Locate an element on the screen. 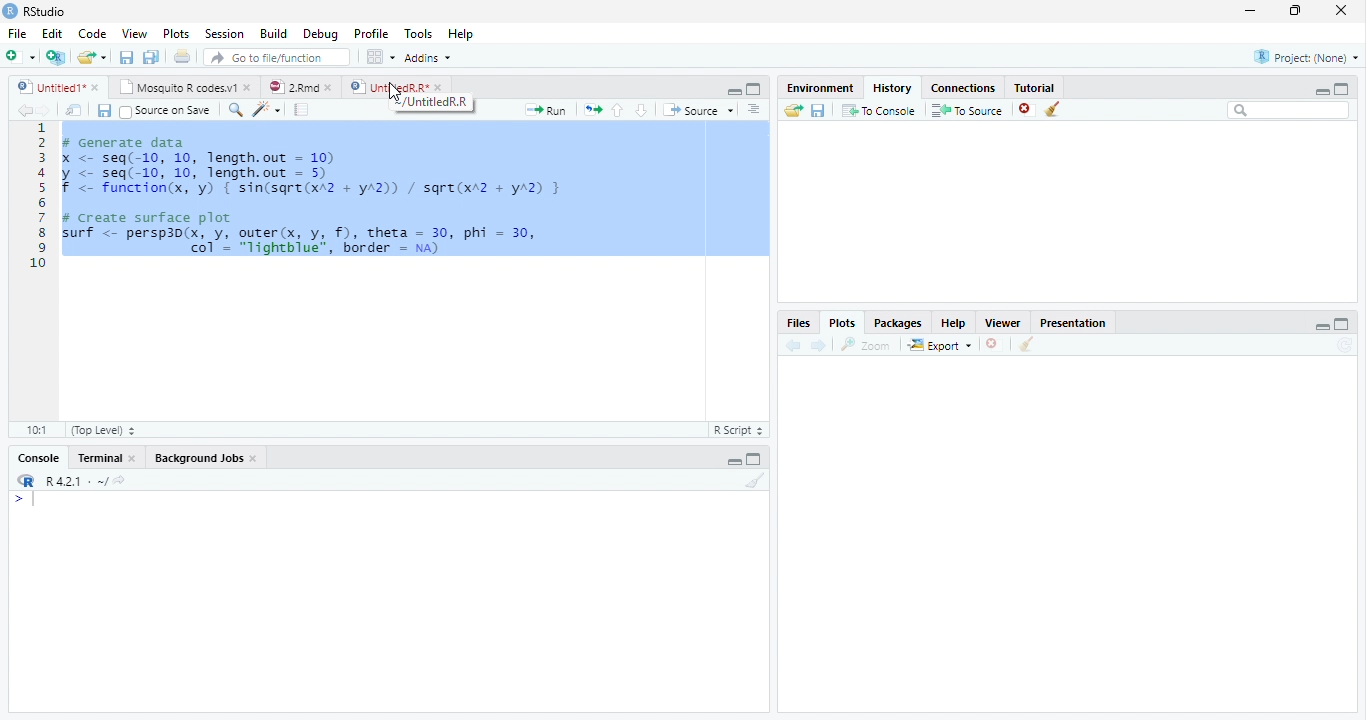 Image resolution: width=1366 pixels, height=720 pixels. Print the current file is located at coordinates (182, 55).